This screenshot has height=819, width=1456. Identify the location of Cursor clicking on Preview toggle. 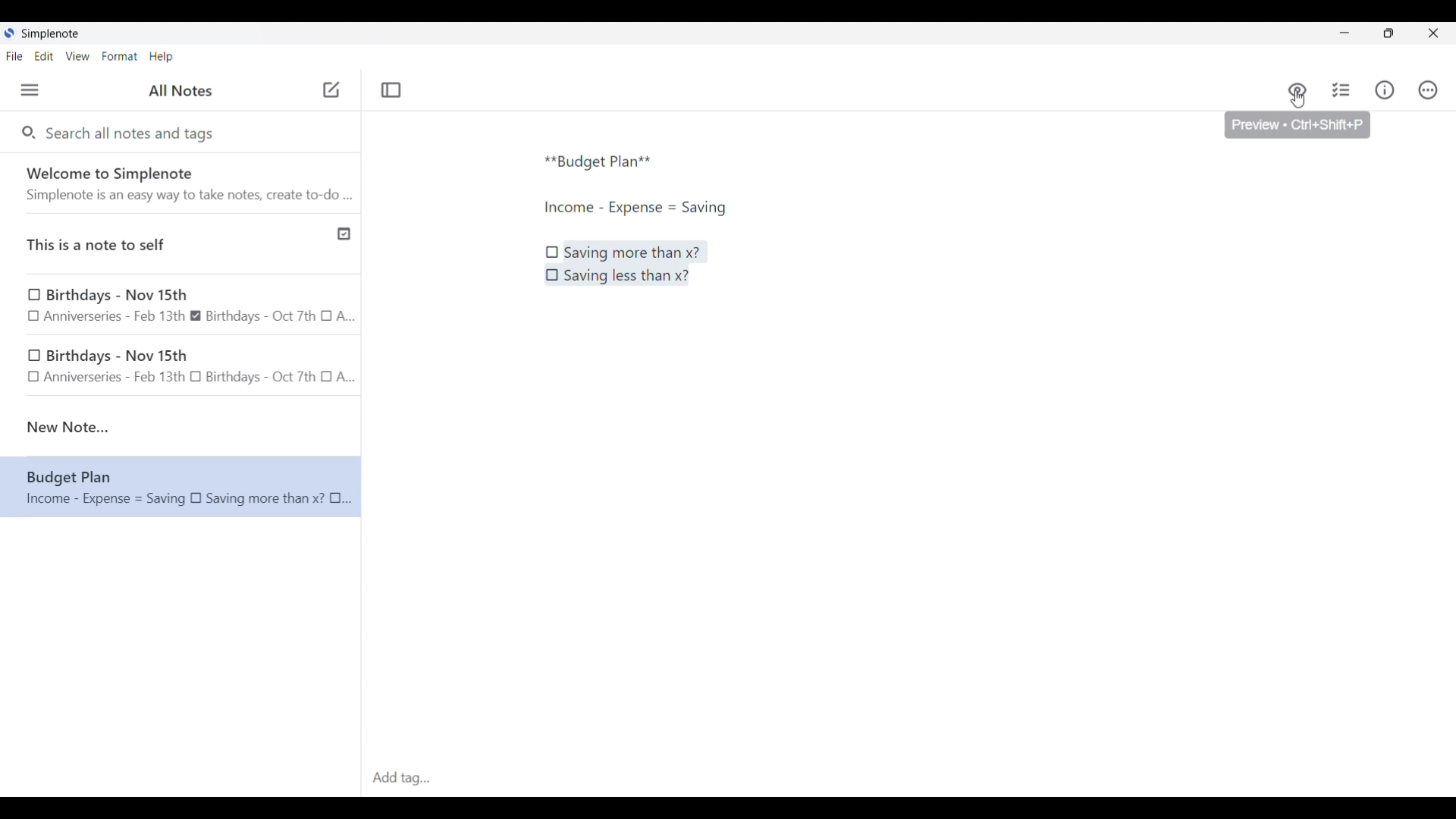
(1298, 99).